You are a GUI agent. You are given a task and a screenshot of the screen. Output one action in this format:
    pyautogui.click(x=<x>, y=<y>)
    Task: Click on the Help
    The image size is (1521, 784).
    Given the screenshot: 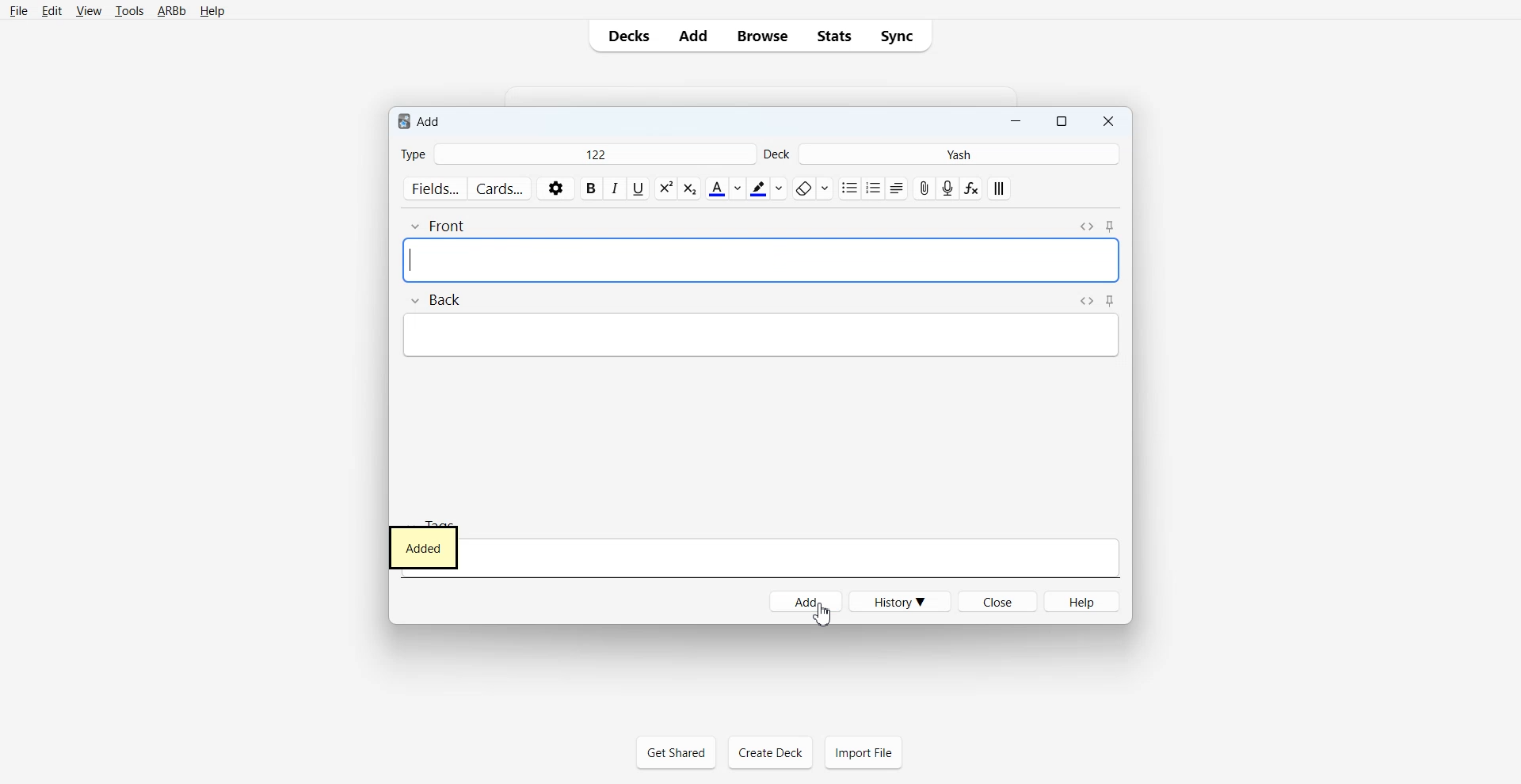 What is the action you would take?
    pyautogui.click(x=212, y=10)
    